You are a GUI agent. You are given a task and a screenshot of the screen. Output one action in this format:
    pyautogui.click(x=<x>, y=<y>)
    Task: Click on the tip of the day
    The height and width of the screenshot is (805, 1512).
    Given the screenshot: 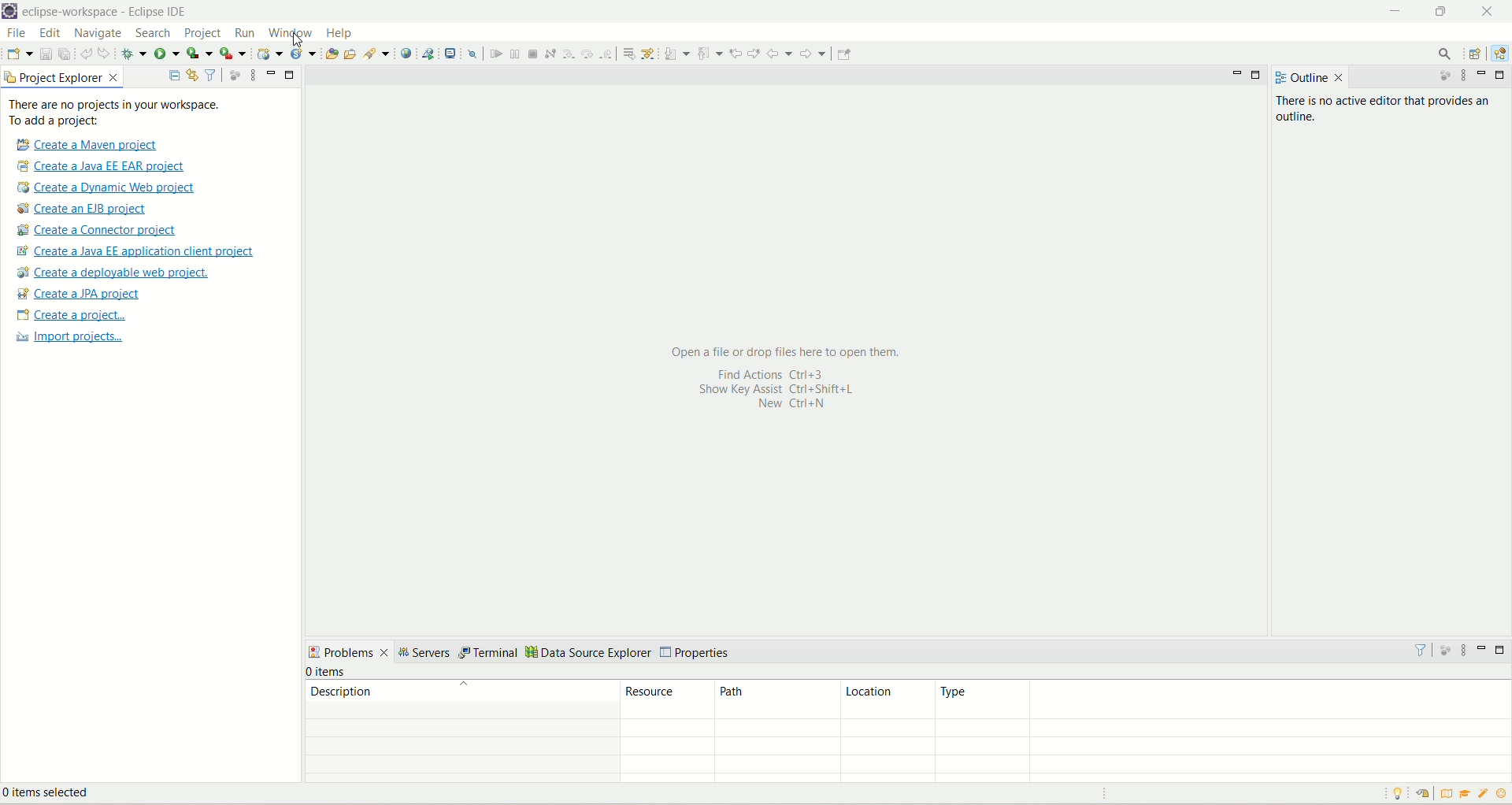 What is the action you would take?
    pyautogui.click(x=1401, y=793)
    